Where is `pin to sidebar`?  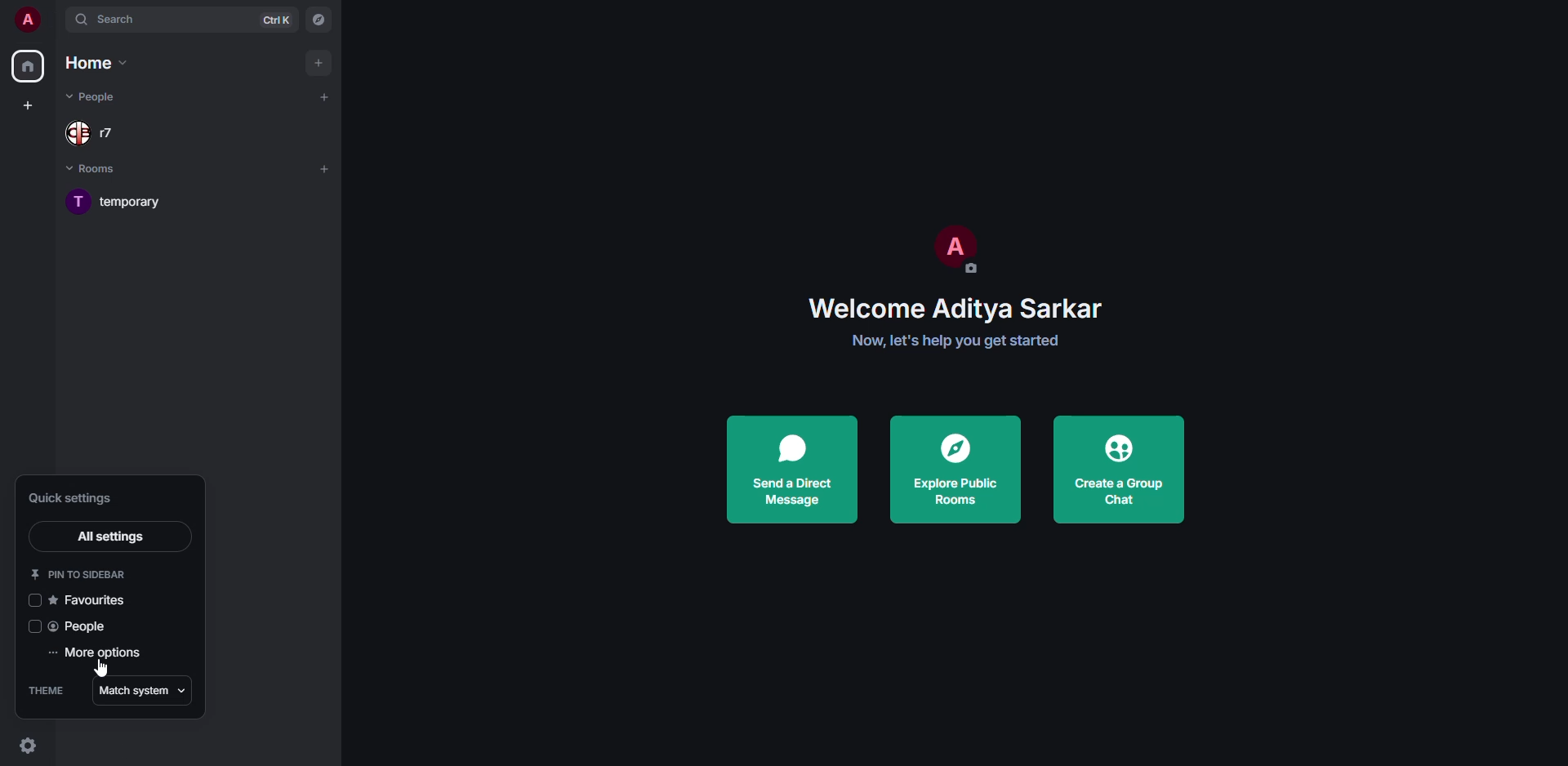 pin to sidebar is located at coordinates (83, 572).